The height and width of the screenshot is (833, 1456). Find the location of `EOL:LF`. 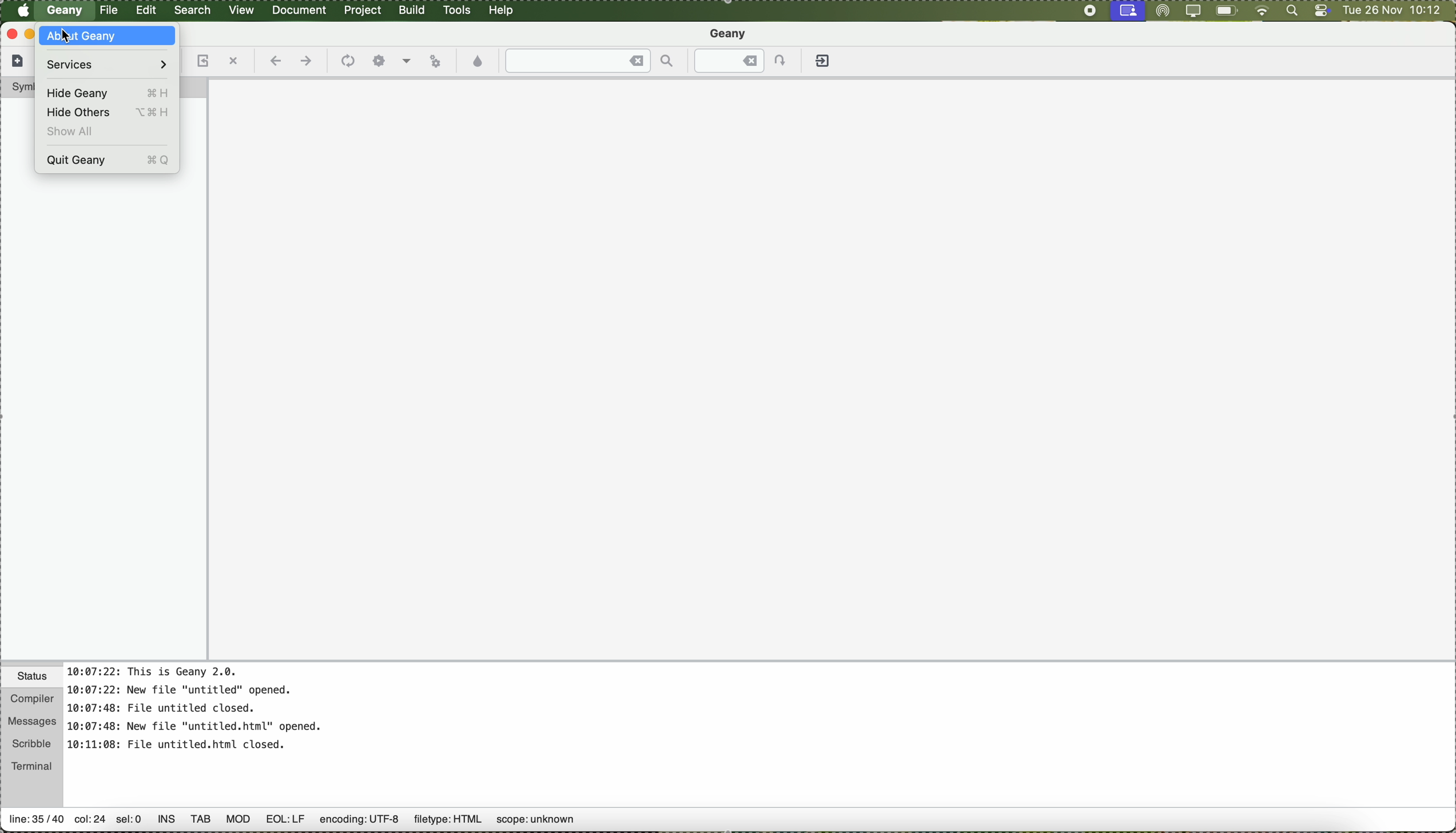

EOL:LF is located at coordinates (287, 823).